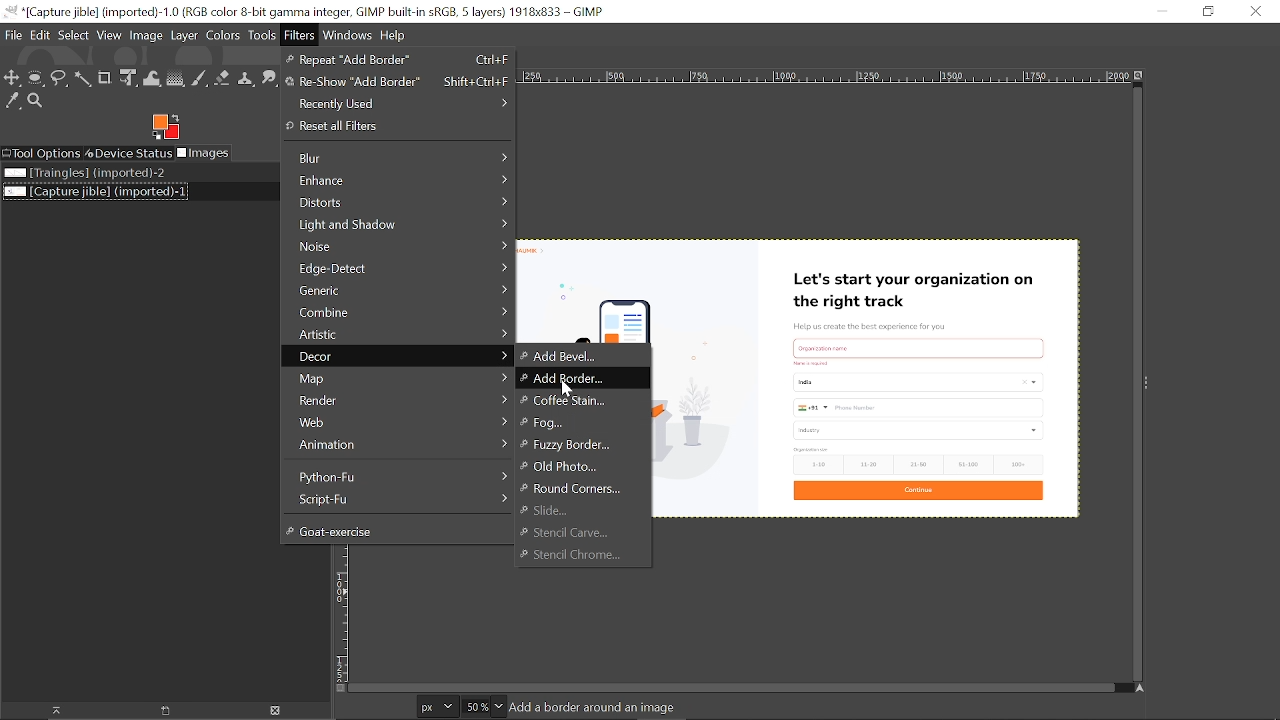 The width and height of the screenshot is (1280, 720). Describe the element at coordinates (398, 379) in the screenshot. I see `Map` at that location.